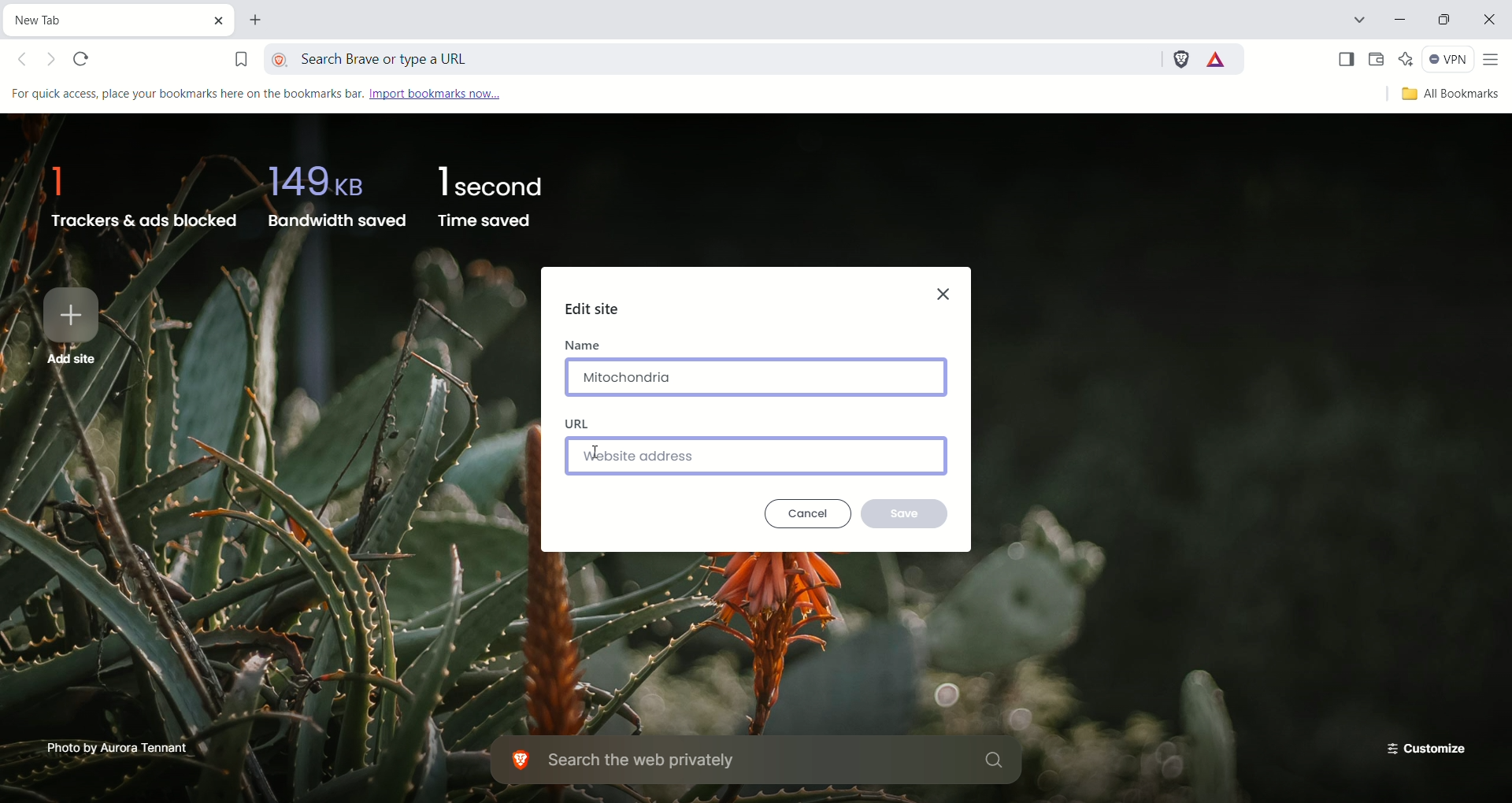  Describe the element at coordinates (240, 56) in the screenshot. I see `bookmark` at that location.